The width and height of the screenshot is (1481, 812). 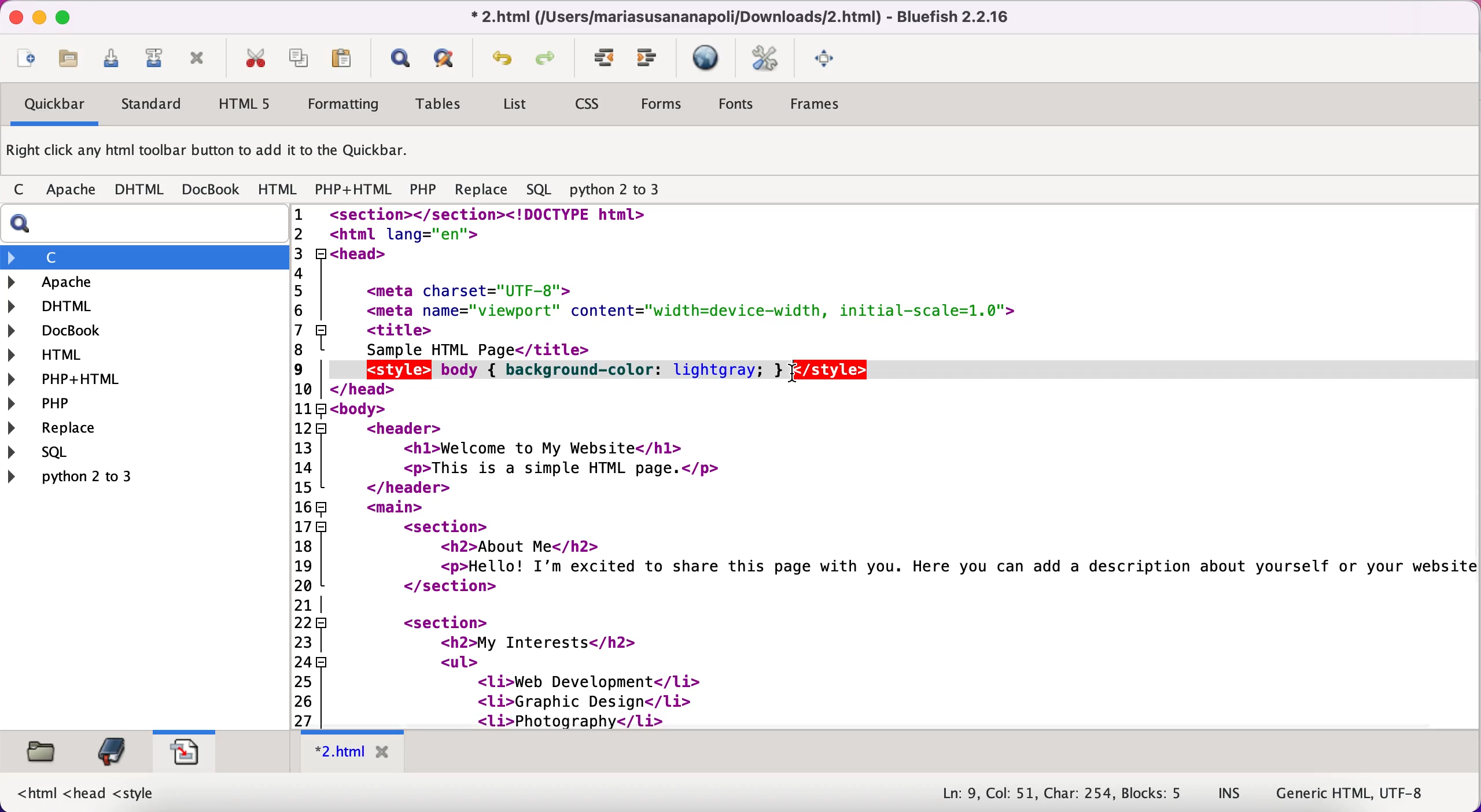 What do you see at coordinates (153, 58) in the screenshot?
I see `save file as` at bounding box center [153, 58].